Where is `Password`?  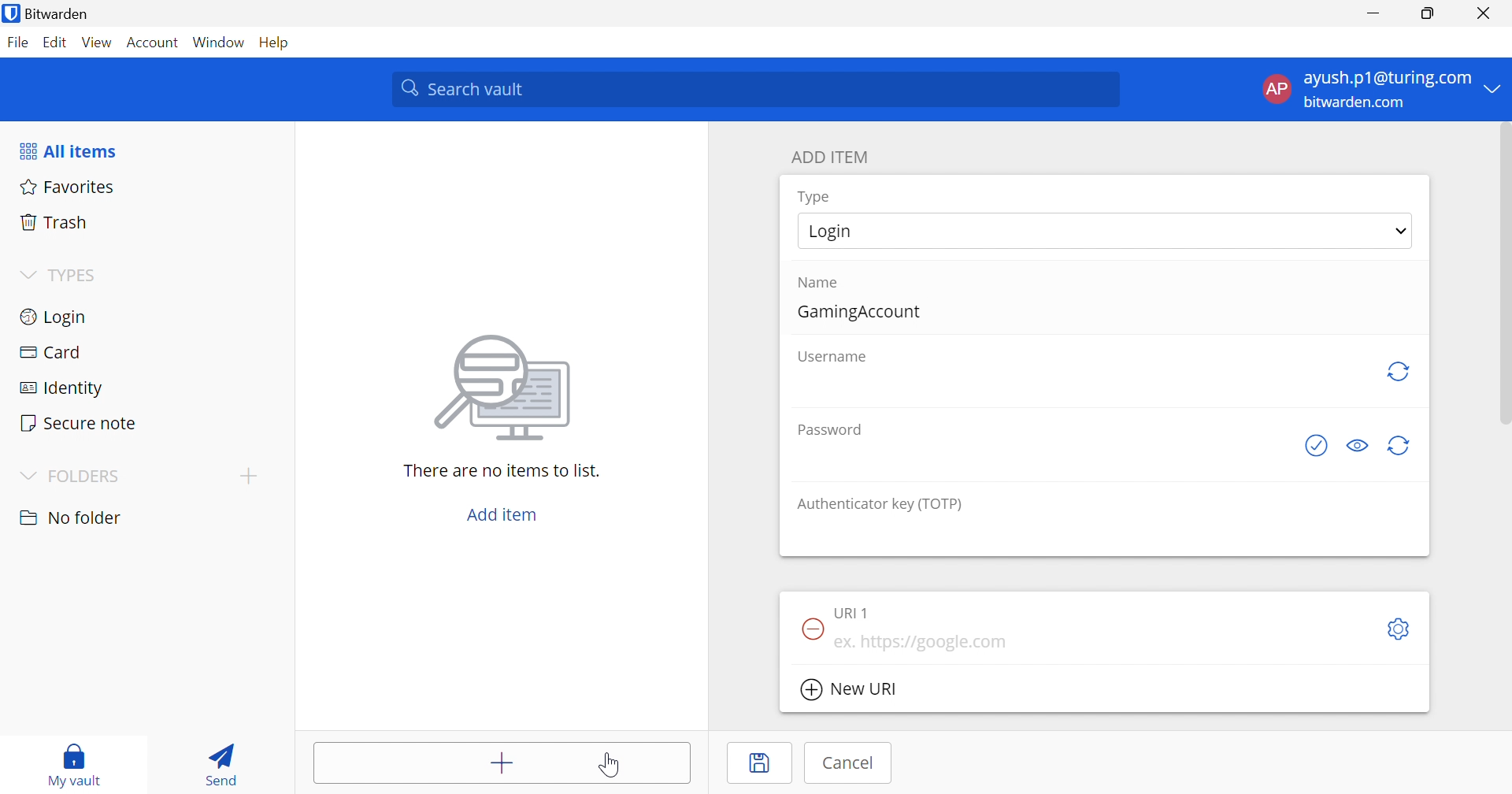 Password is located at coordinates (828, 431).